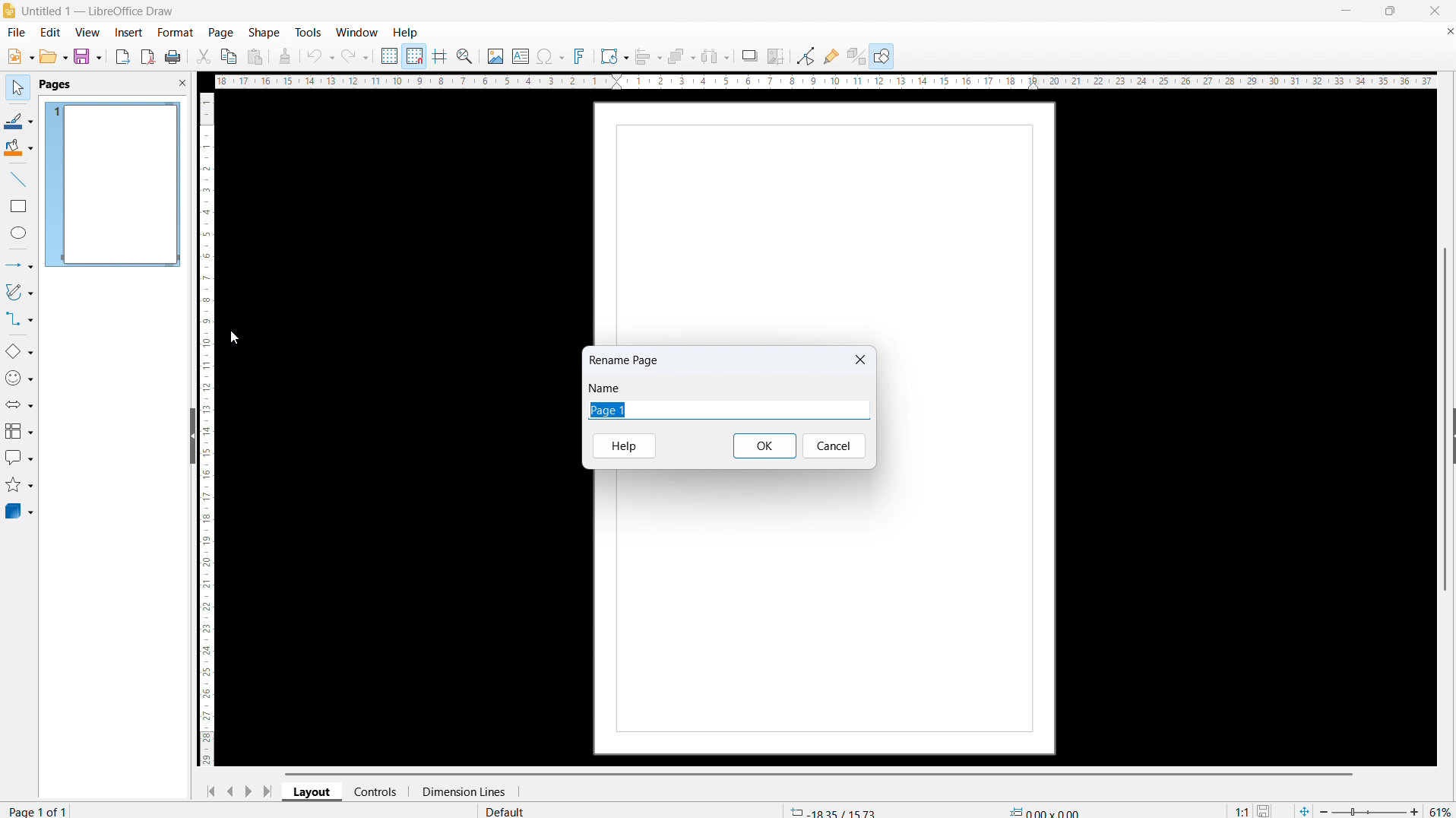 This screenshot has height=818, width=1456. What do you see at coordinates (728, 410) in the screenshot?
I see `Edit page name ` at bounding box center [728, 410].